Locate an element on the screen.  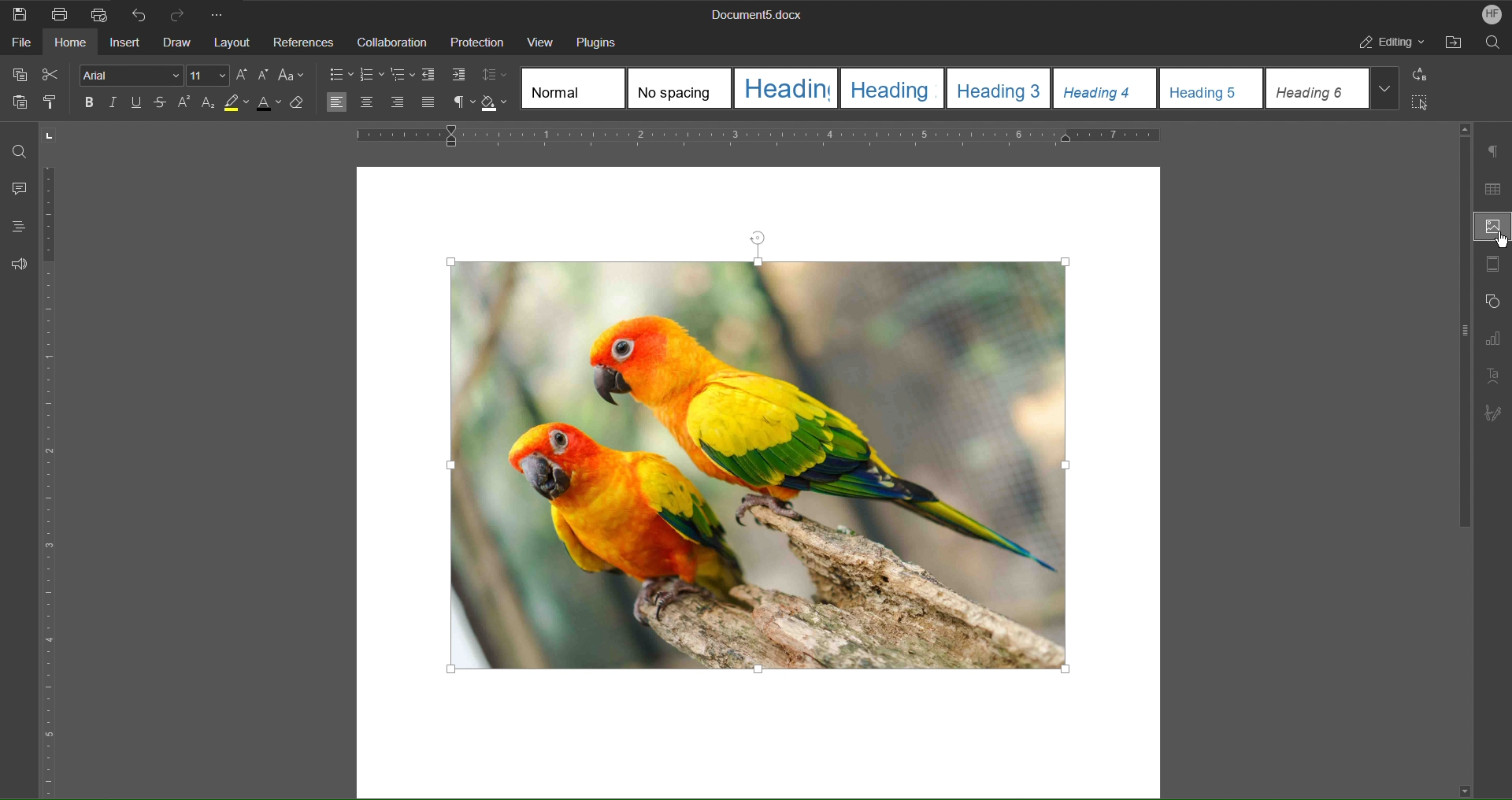
Text Art is located at coordinates (1495, 375).